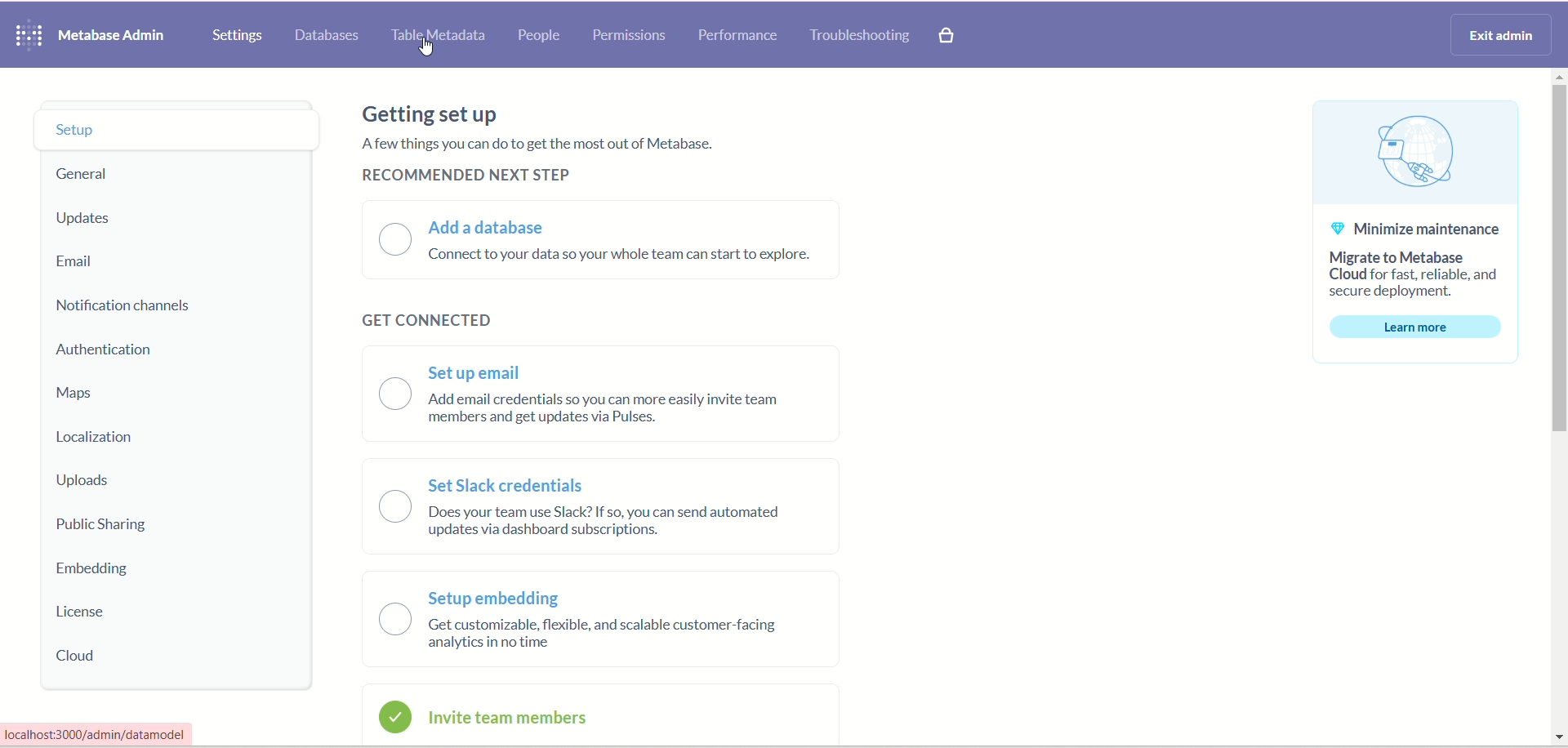 This screenshot has height=748, width=1568. I want to click on recommended next step, so click(468, 179).